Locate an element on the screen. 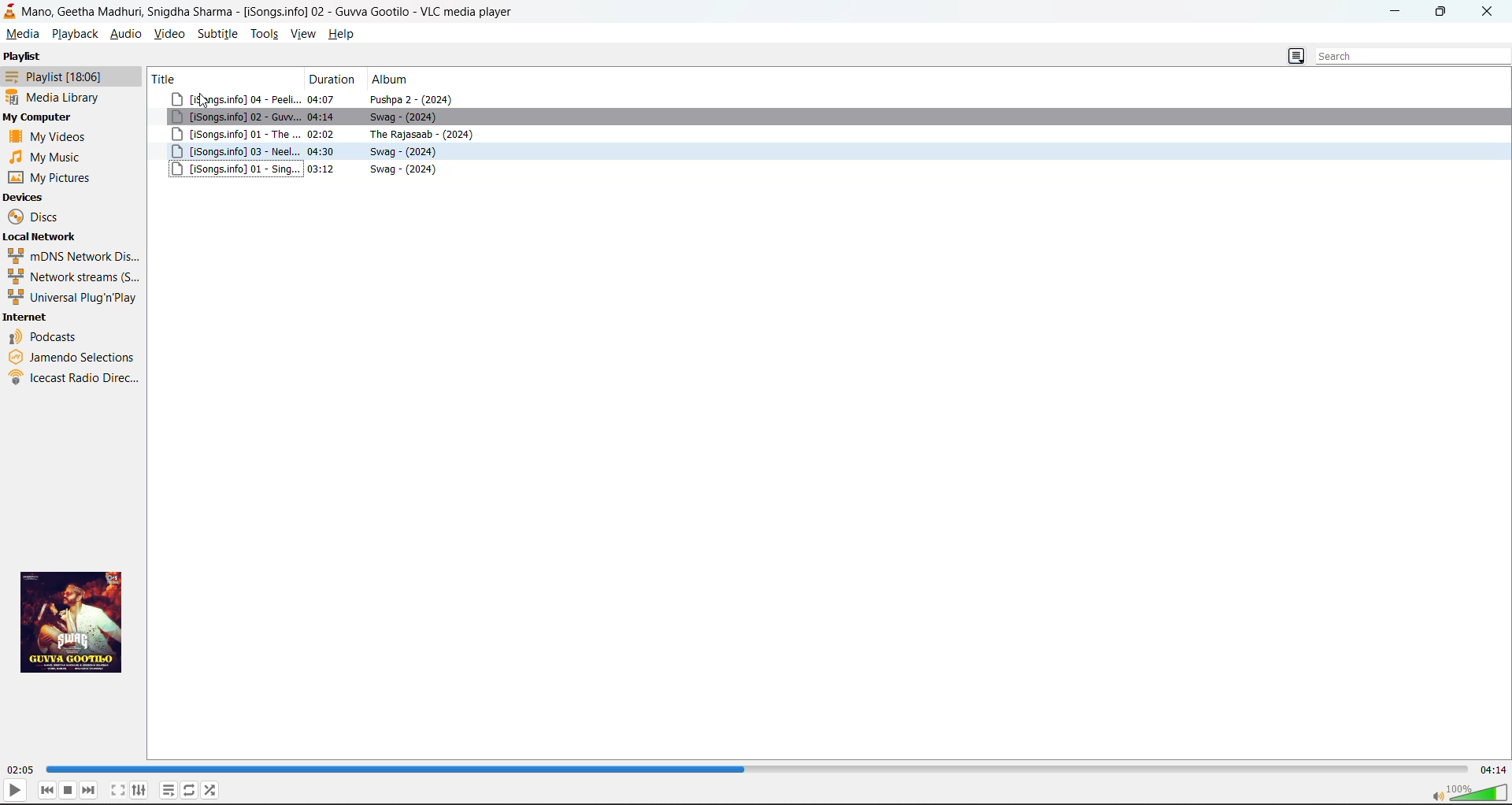 This screenshot has height=805, width=1512. discs is located at coordinates (37, 217).